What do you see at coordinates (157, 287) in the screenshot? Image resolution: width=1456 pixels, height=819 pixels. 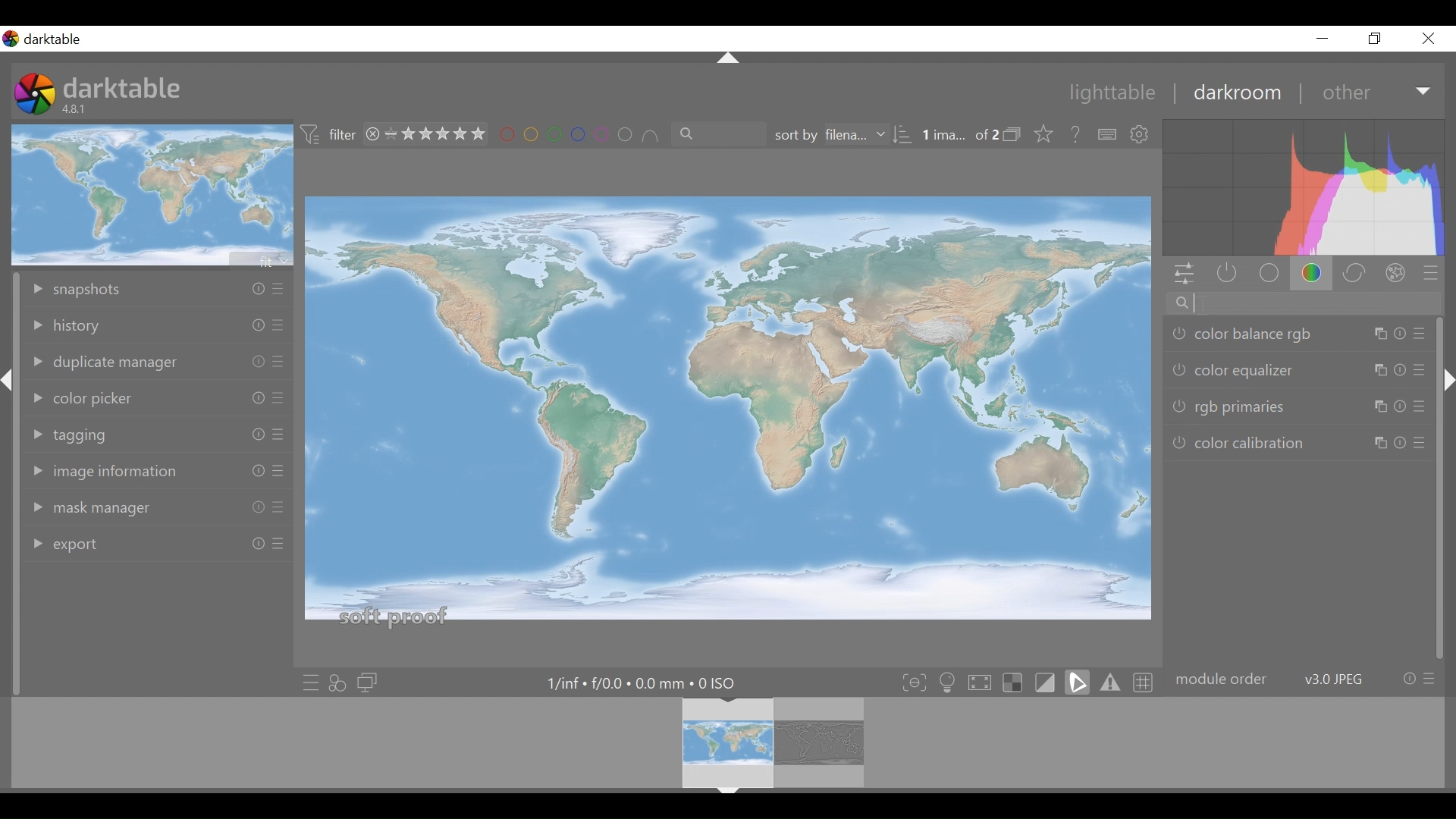 I see `snapshots` at bounding box center [157, 287].